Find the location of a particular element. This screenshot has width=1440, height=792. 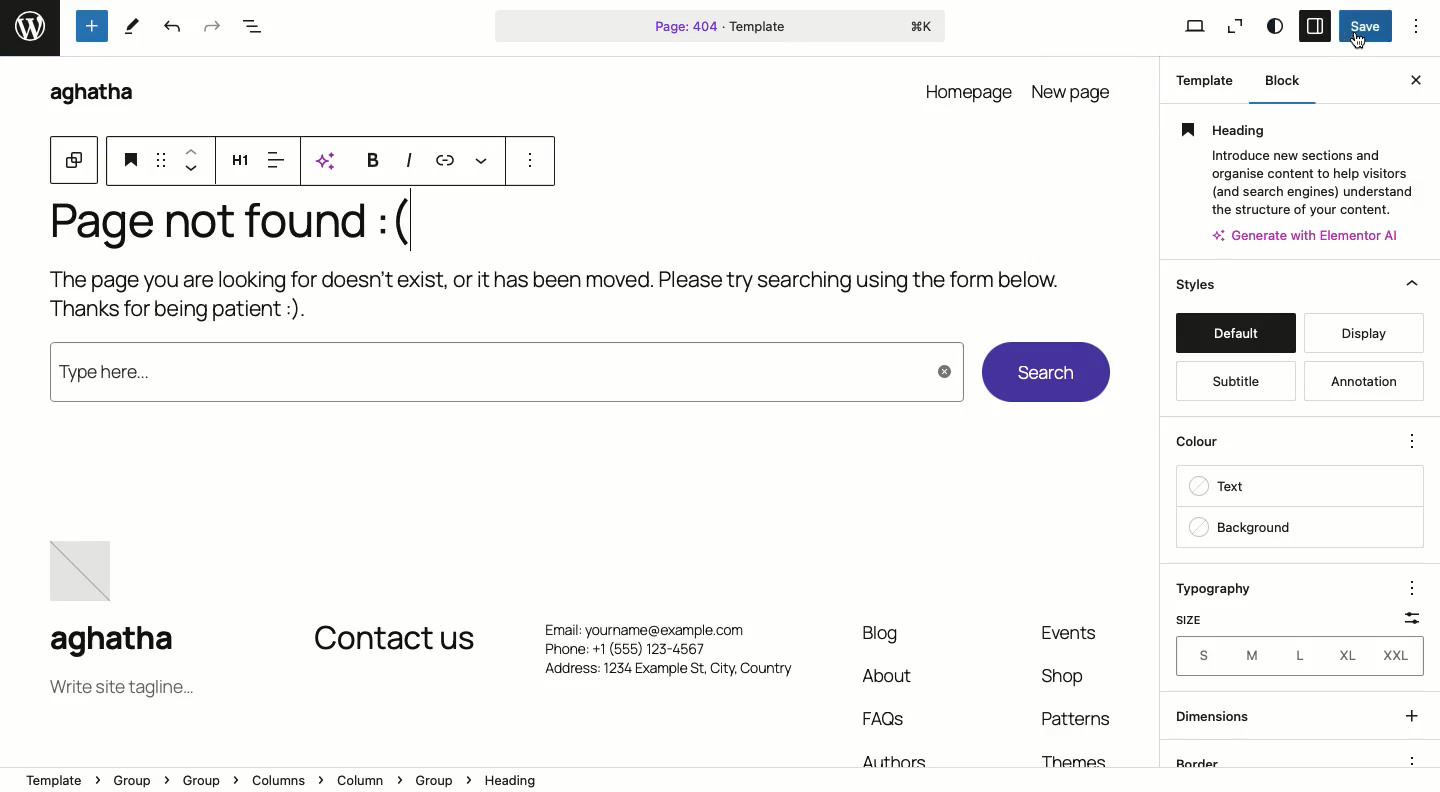

color is located at coordinates (1204, 440).